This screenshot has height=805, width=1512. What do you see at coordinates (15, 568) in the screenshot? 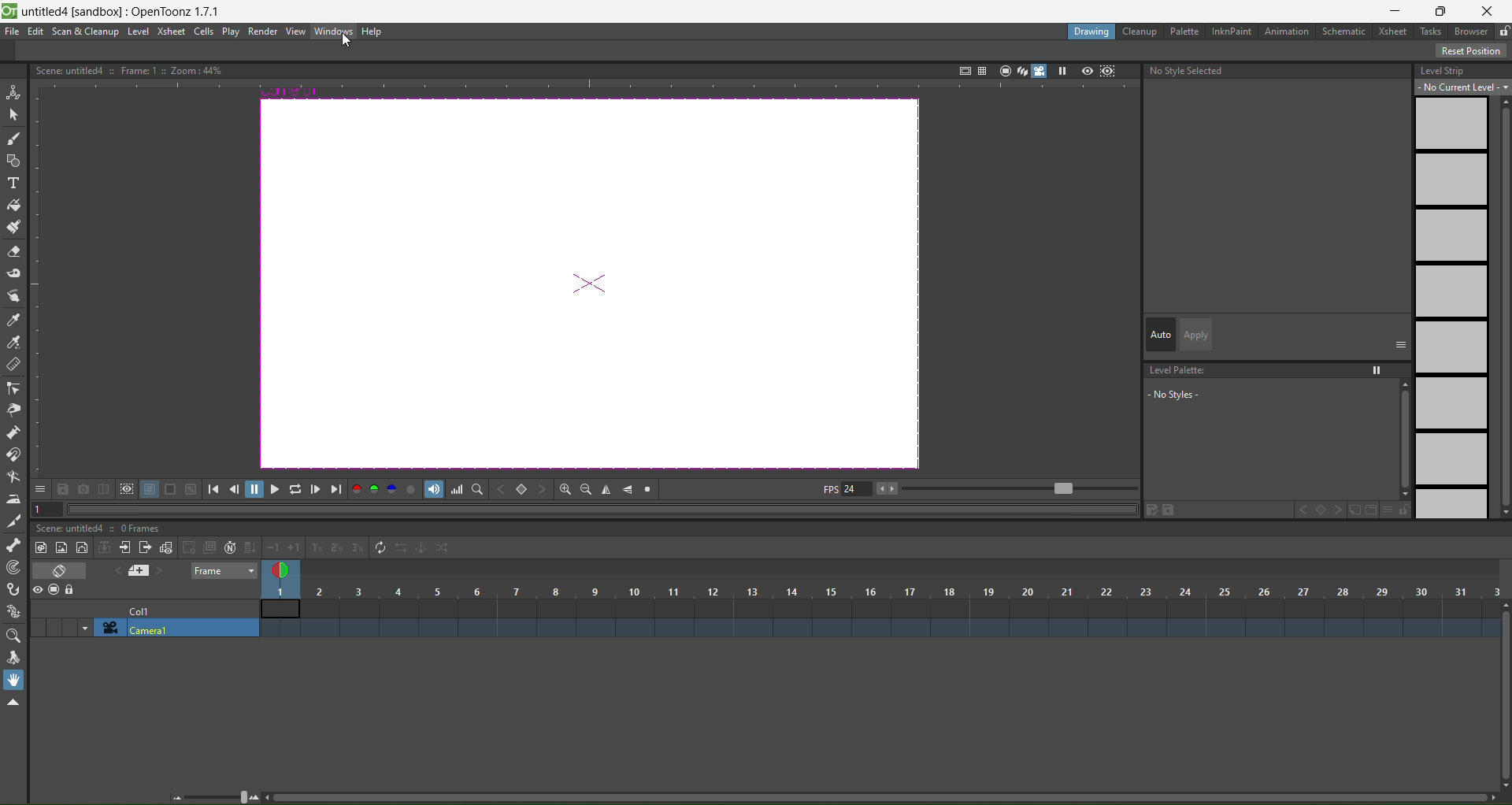
I see `tracker tool` at bounding box center [15, 568].